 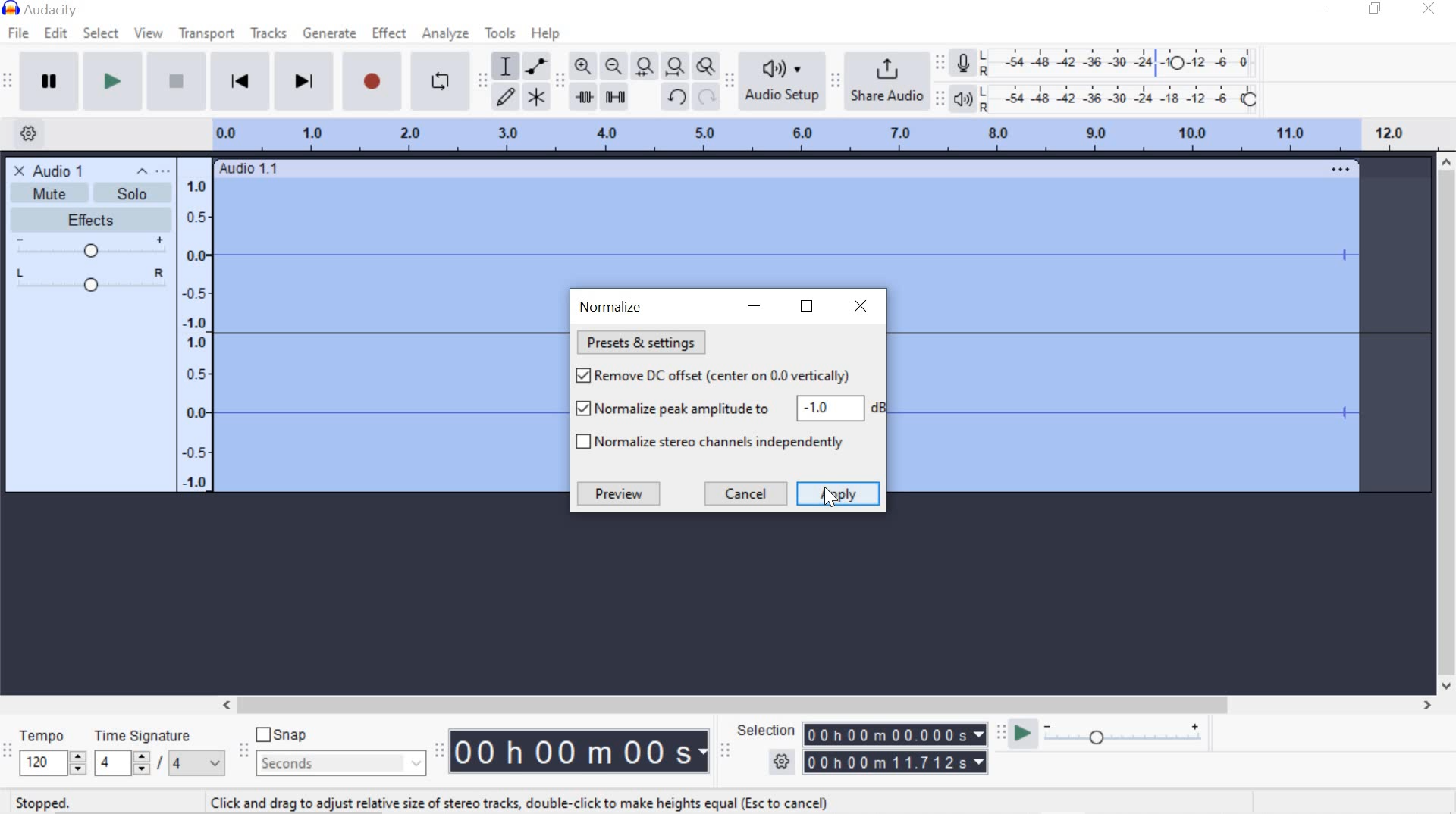 What do you see at coordinates (1018, 734) in the screenshot?
I see `Play-at-speed` at bounding box center [1018, 734].